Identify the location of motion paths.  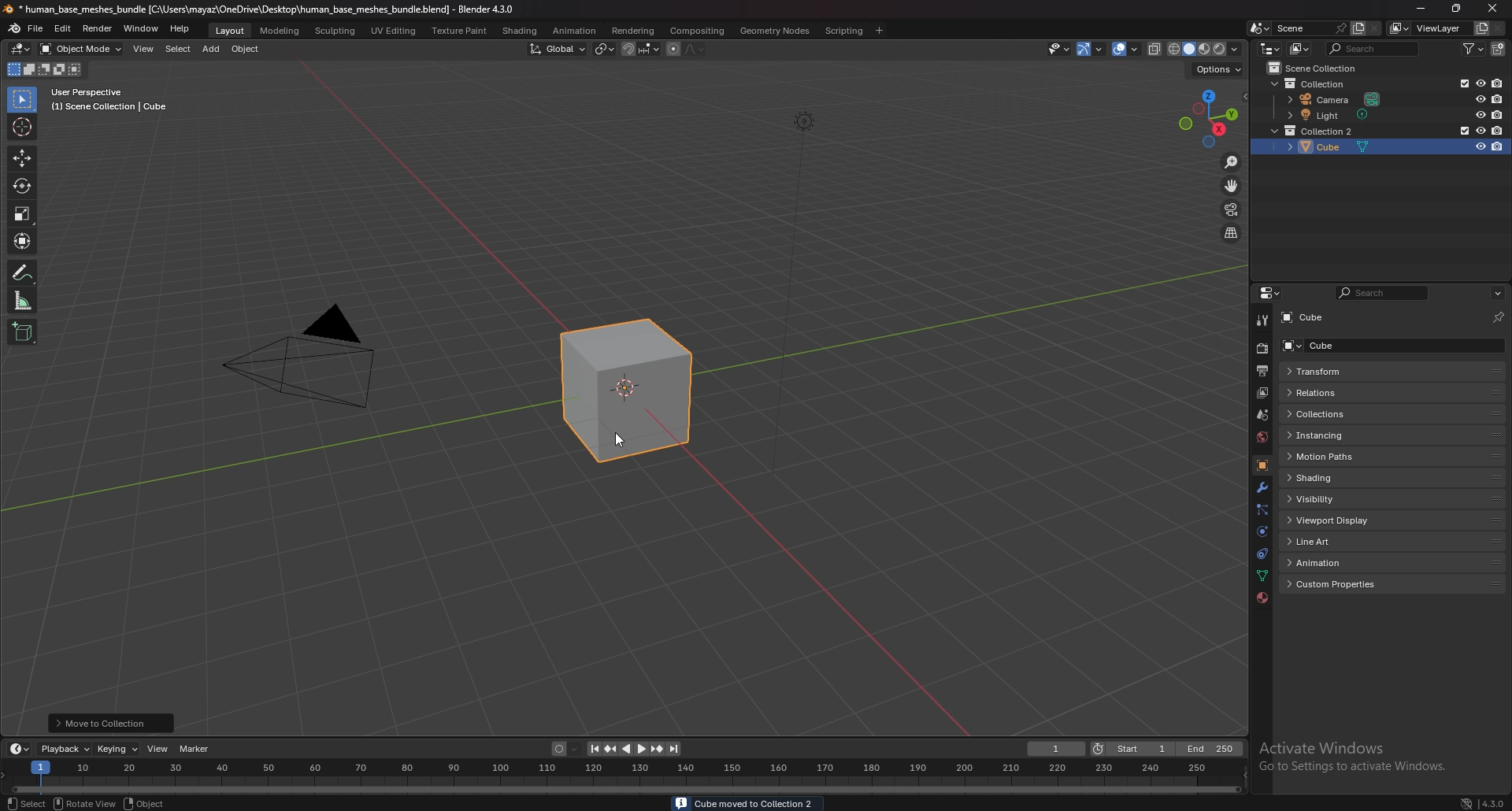
(1345, 457).